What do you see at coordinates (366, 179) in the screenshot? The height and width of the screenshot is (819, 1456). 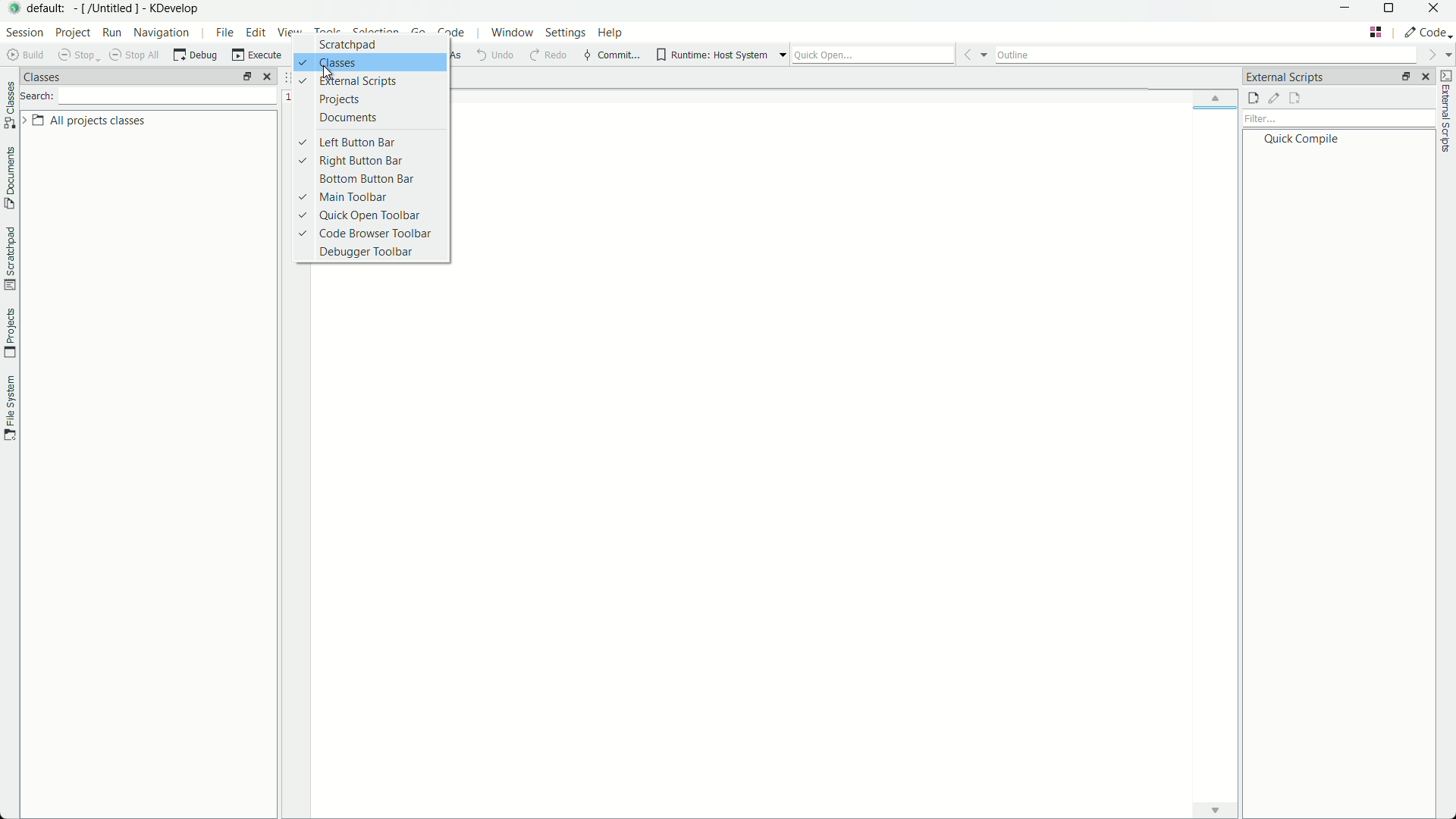 I see `bottom button bar` at bounding box center [366, 179].